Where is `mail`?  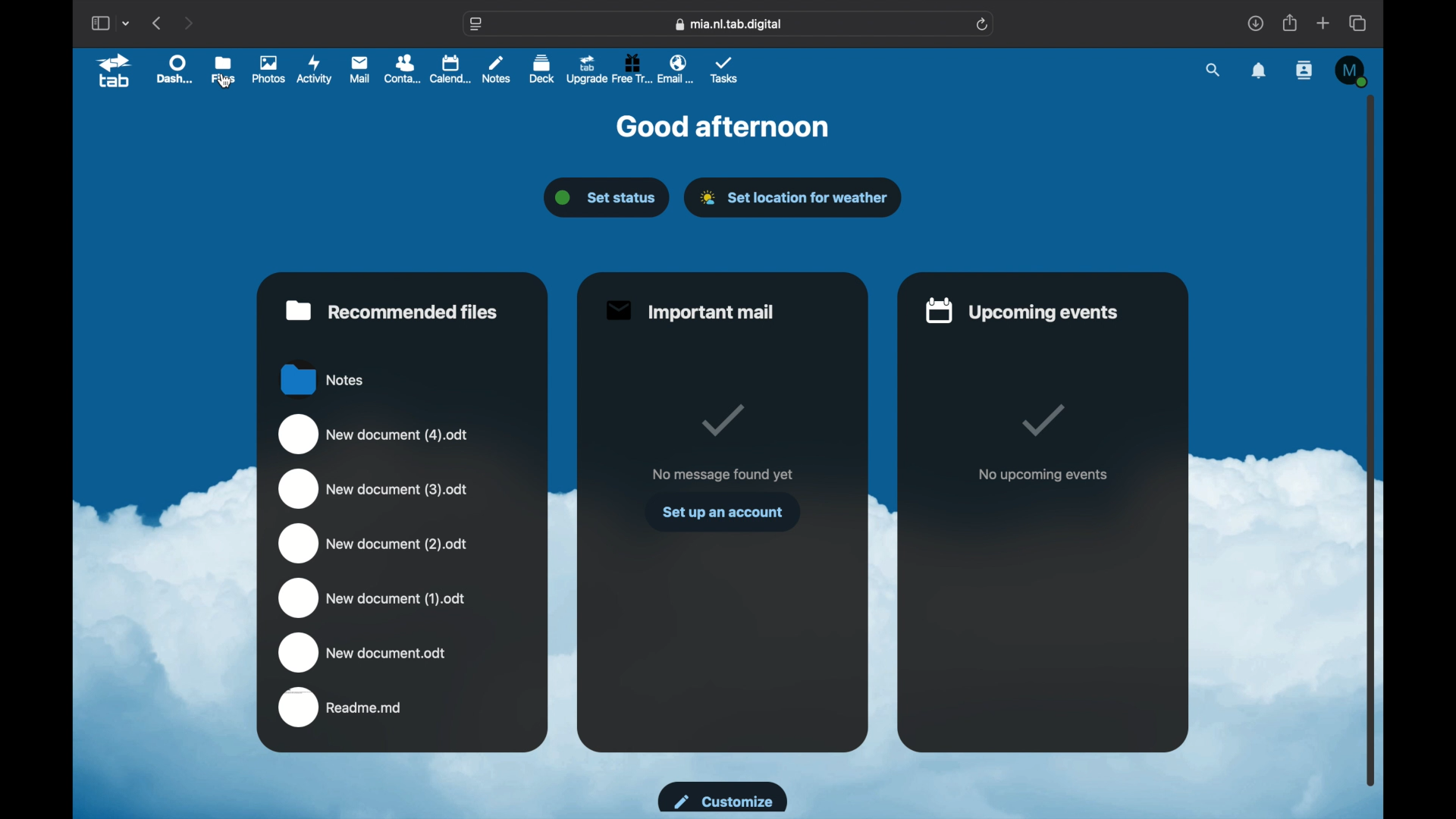
mail is located at coordinates (359, 70).